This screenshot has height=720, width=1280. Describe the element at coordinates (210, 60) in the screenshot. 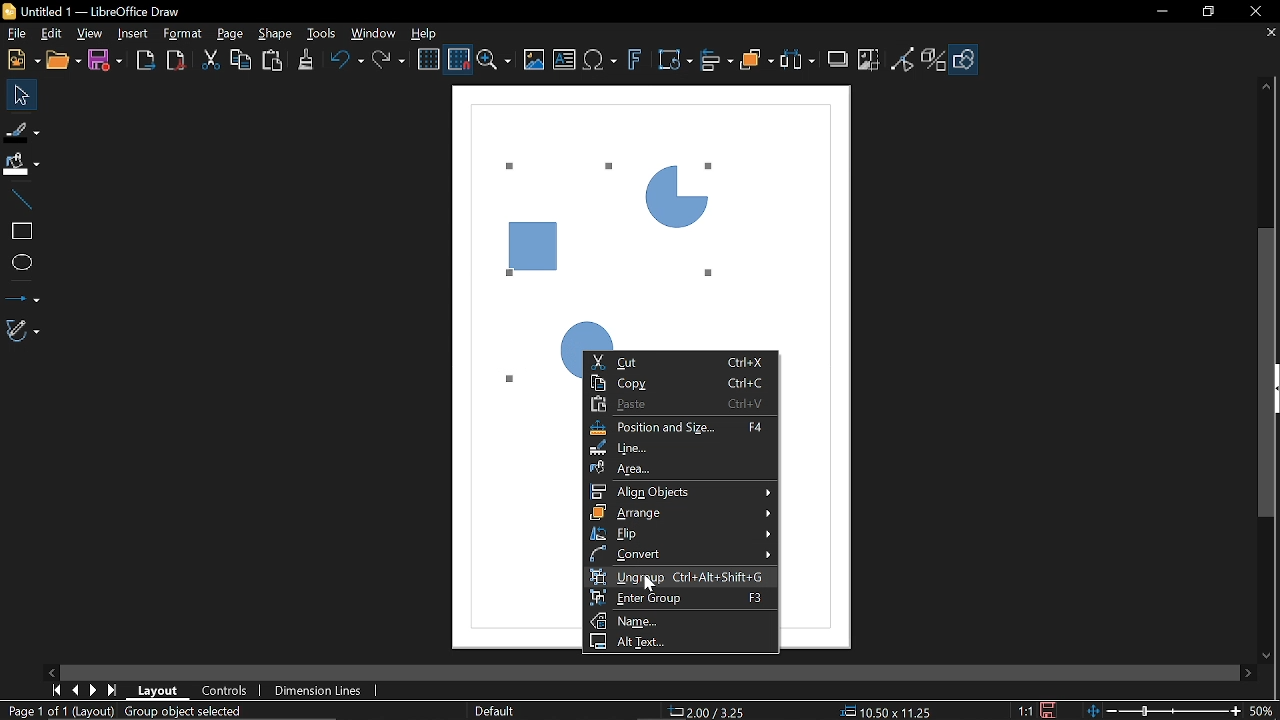

I see `Cut` at that location.